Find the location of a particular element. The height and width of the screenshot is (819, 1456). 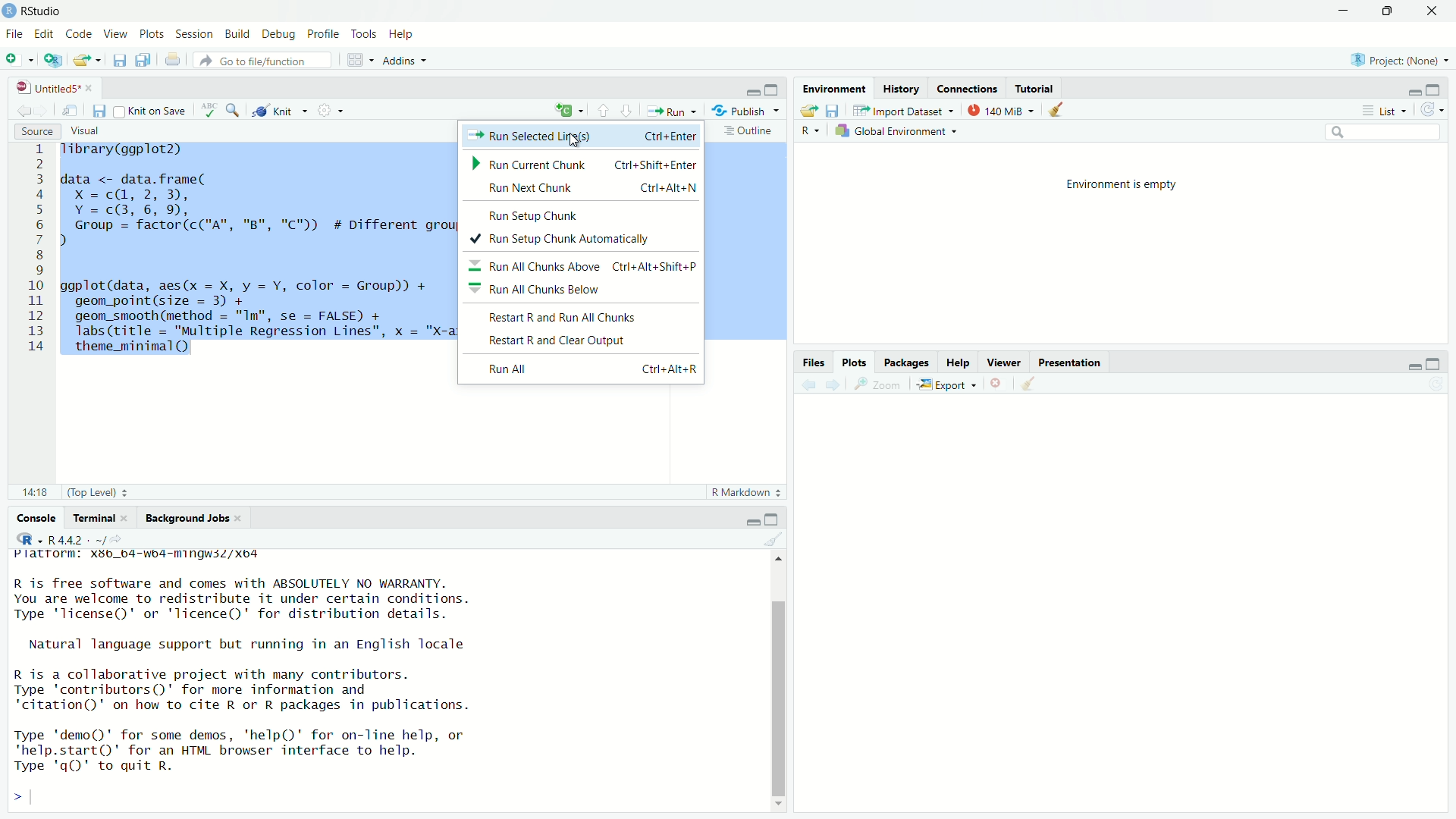

Code is located at coordinates (79, 34).